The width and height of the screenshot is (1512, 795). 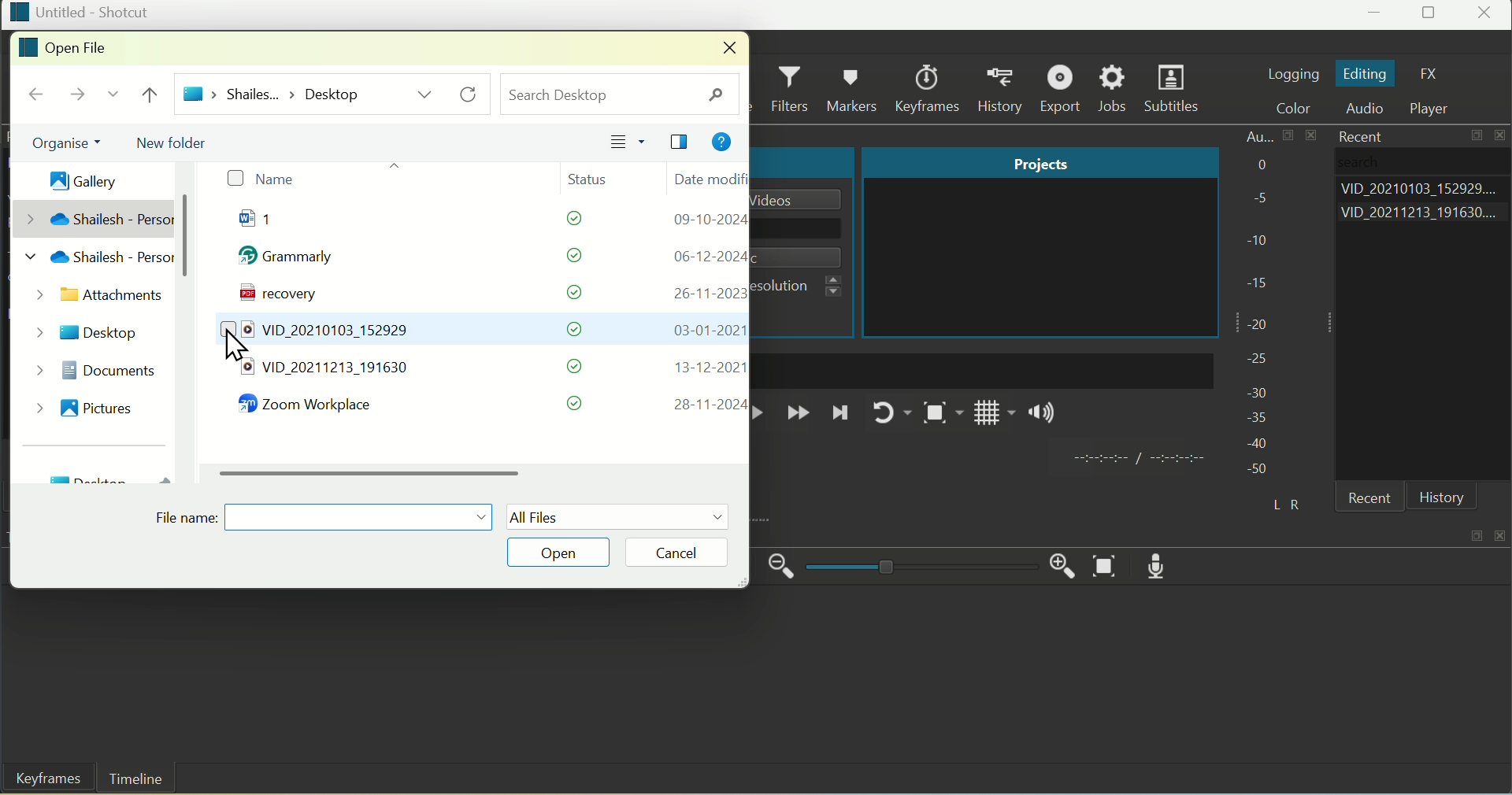 What do you see at coordinates (1442, 497) in the screenshot?
I see `History` at bounding box center [1442, 497].